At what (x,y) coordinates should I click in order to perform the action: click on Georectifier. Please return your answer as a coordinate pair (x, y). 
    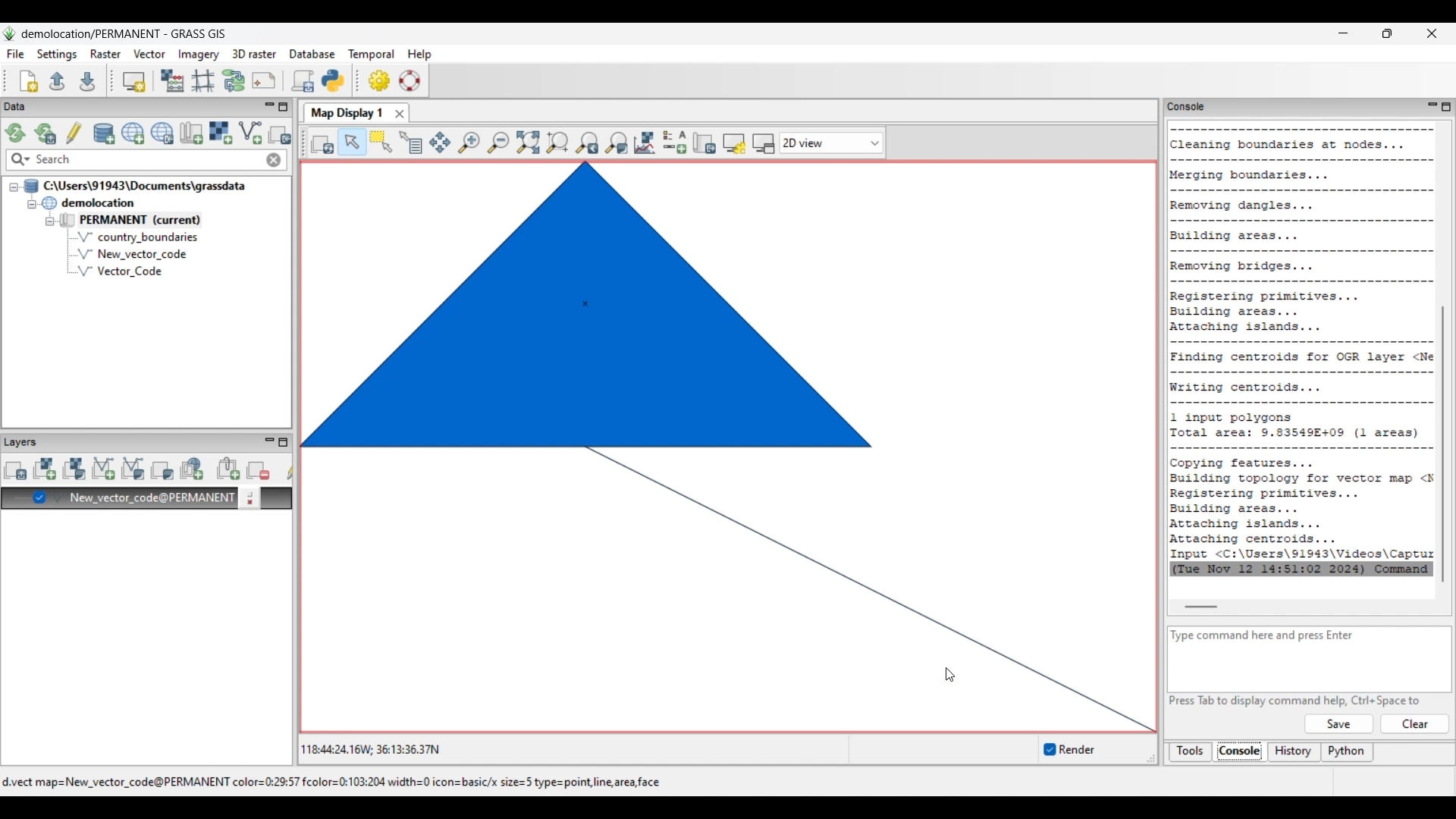
    Looking at the image, I should click on (203, 81).